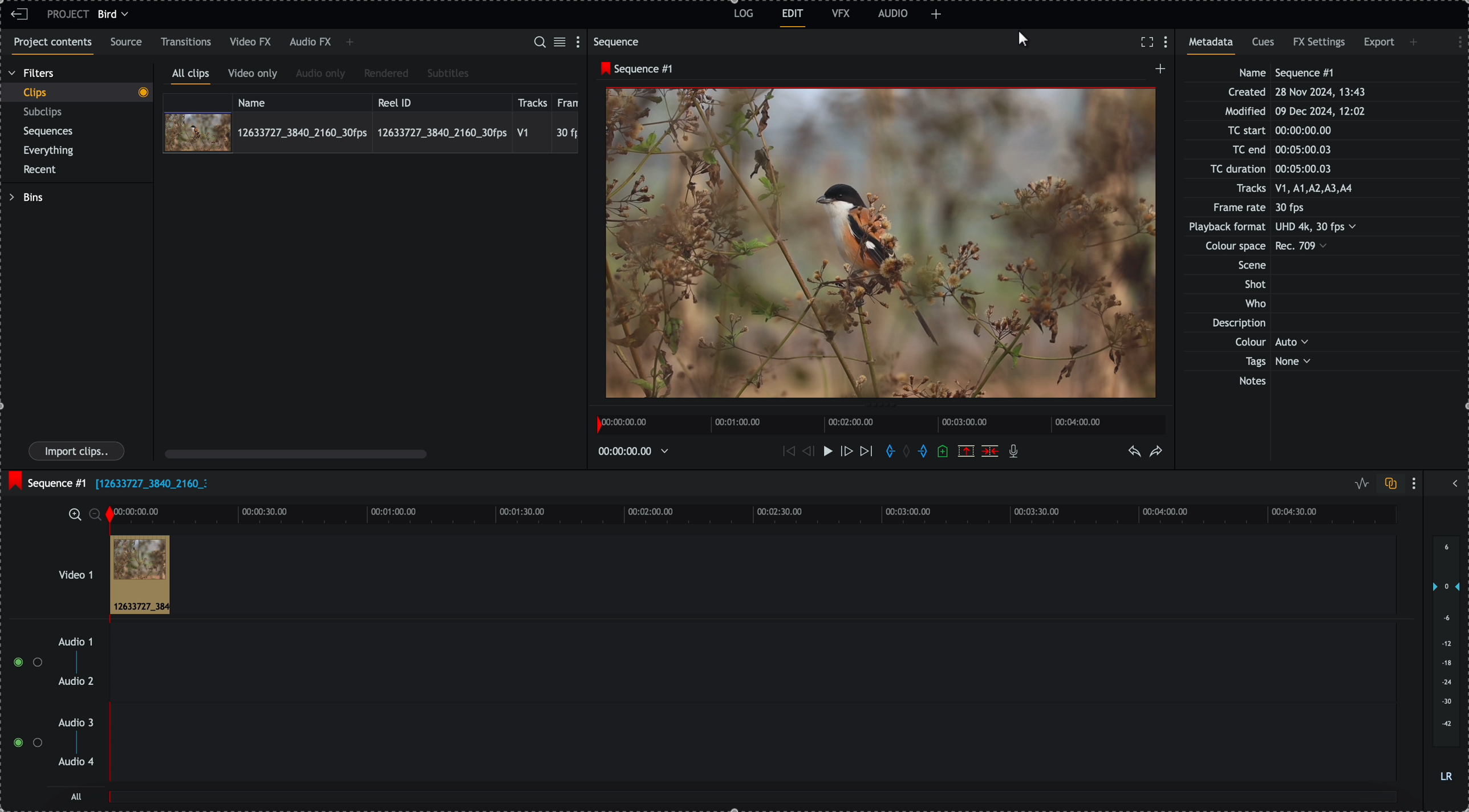 Image resolution: width=1469 pixels, height=812 pixels. Describe the element at coordinates (1016, 452) in the screenshot. I see `recored voice-over` at that location.